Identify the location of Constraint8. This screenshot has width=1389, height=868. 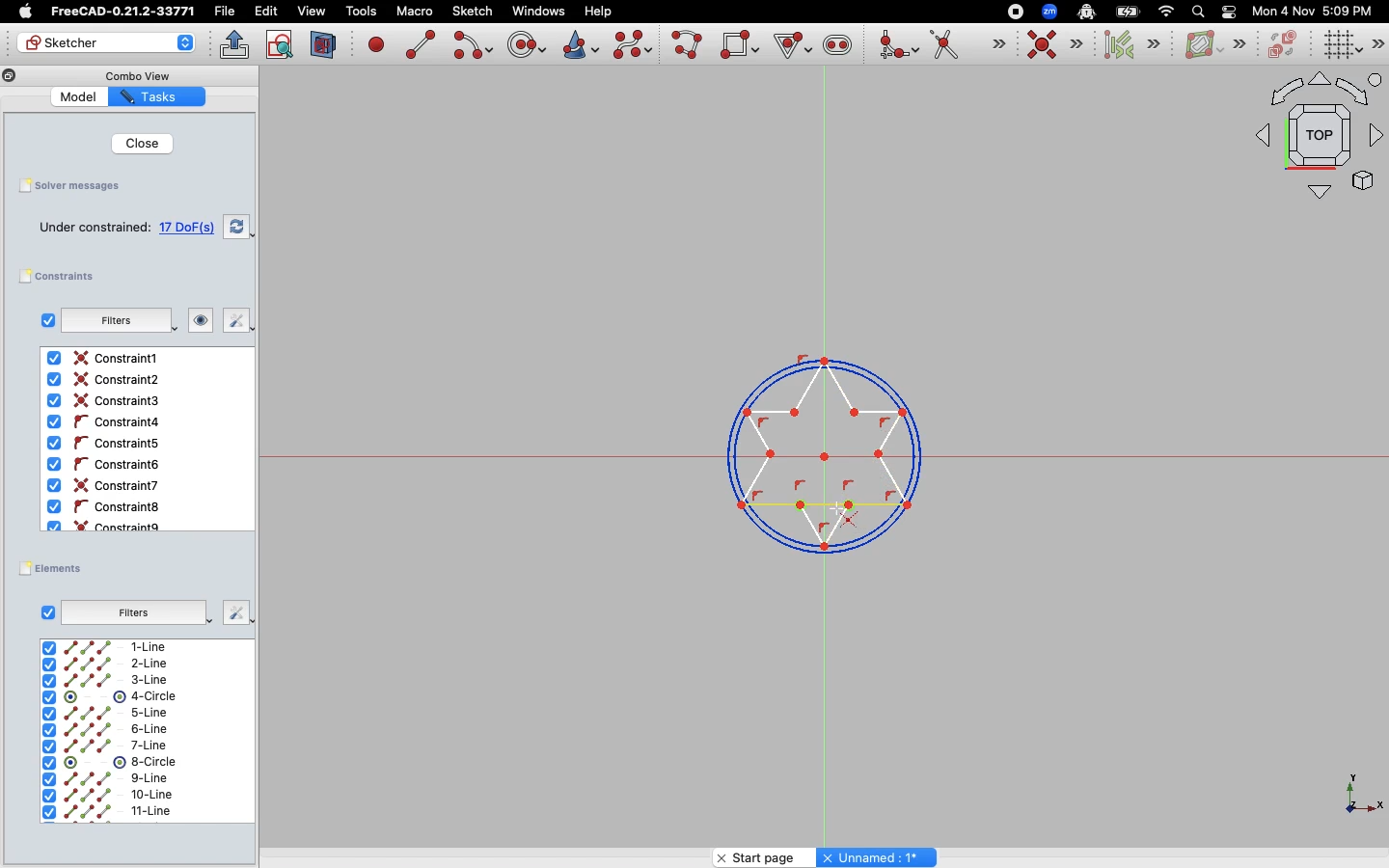
(106, 507).